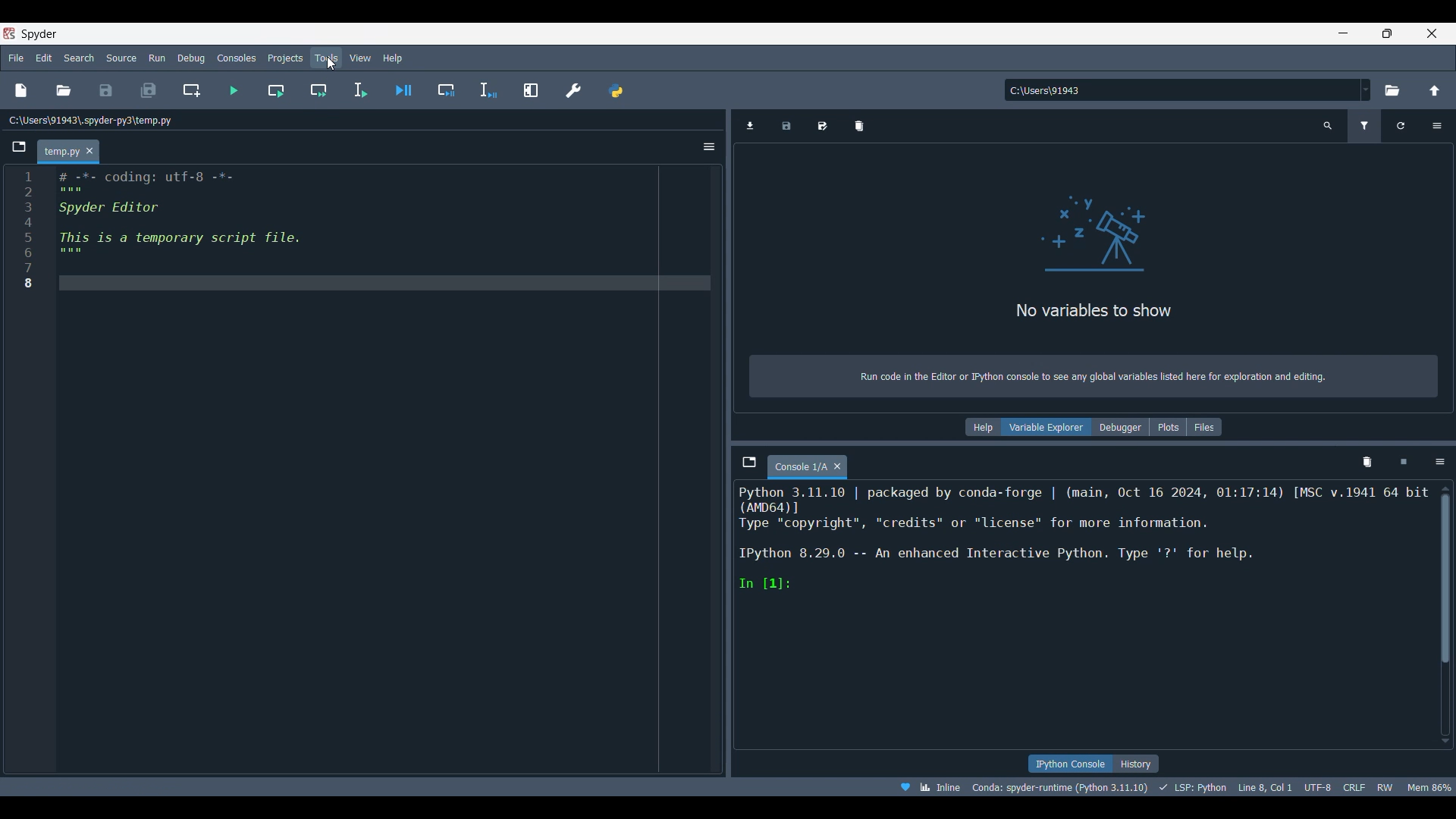 The height and width of the screenshot is (819, 1456). Describe the element at coordinates (404, 90) in the screenshot. I see `Debug file` at that location.